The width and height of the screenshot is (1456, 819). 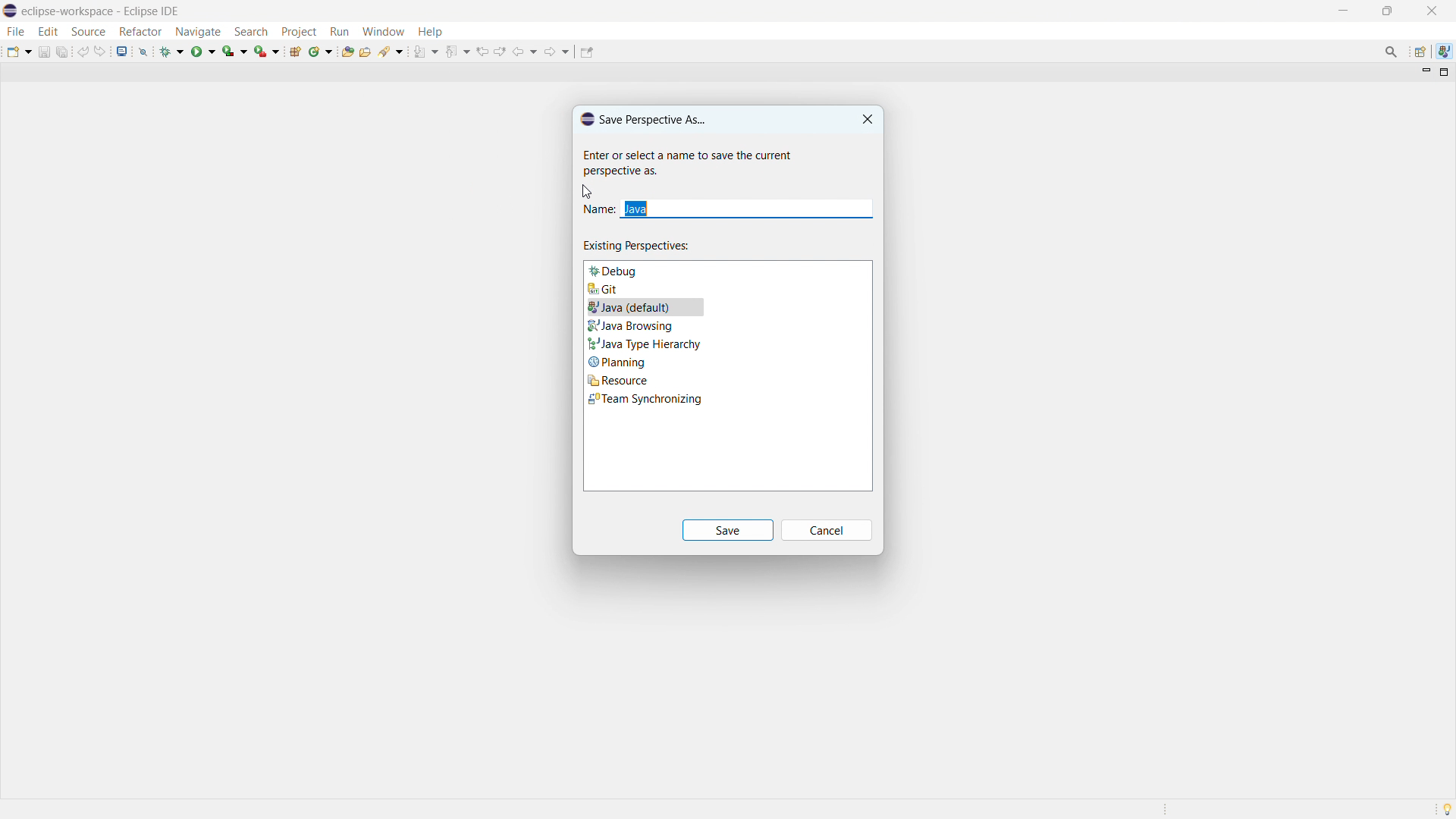 What do you see at coordinates (122, 51) in the screenshot?
I see `open console` at bounding box center [122, 51].